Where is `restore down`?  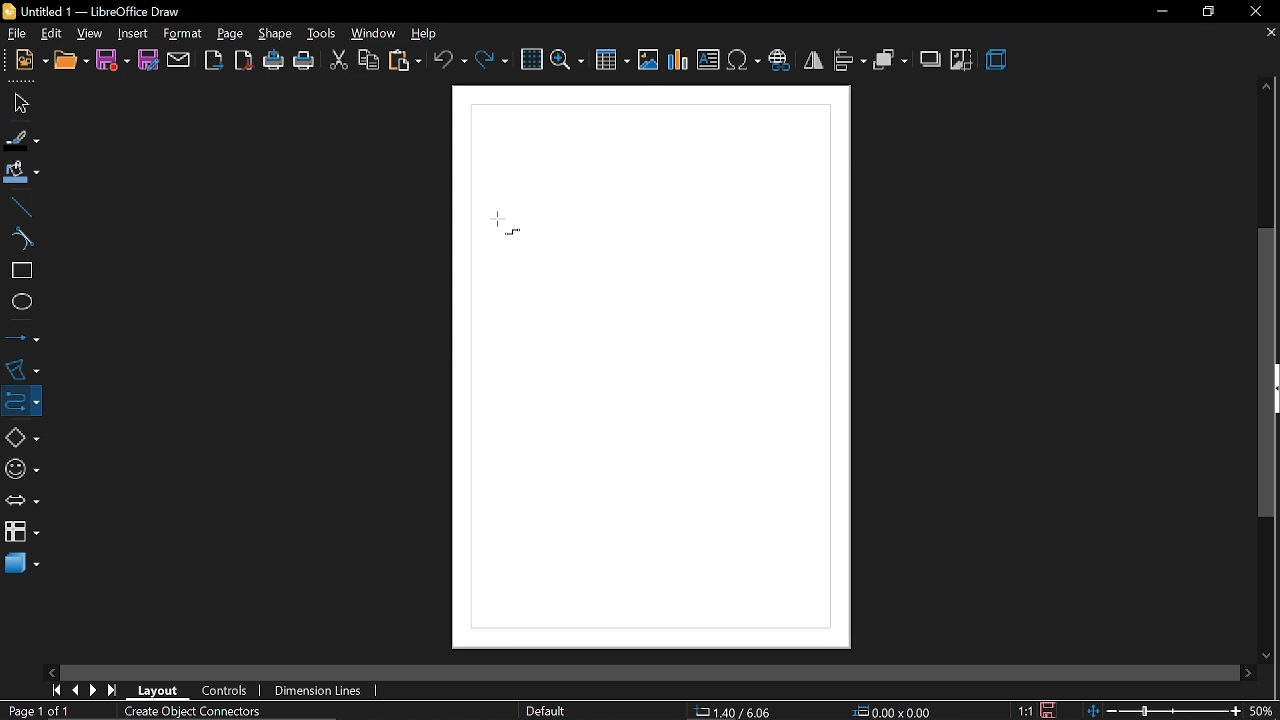
restore down is located at coordinates (1206, 11).